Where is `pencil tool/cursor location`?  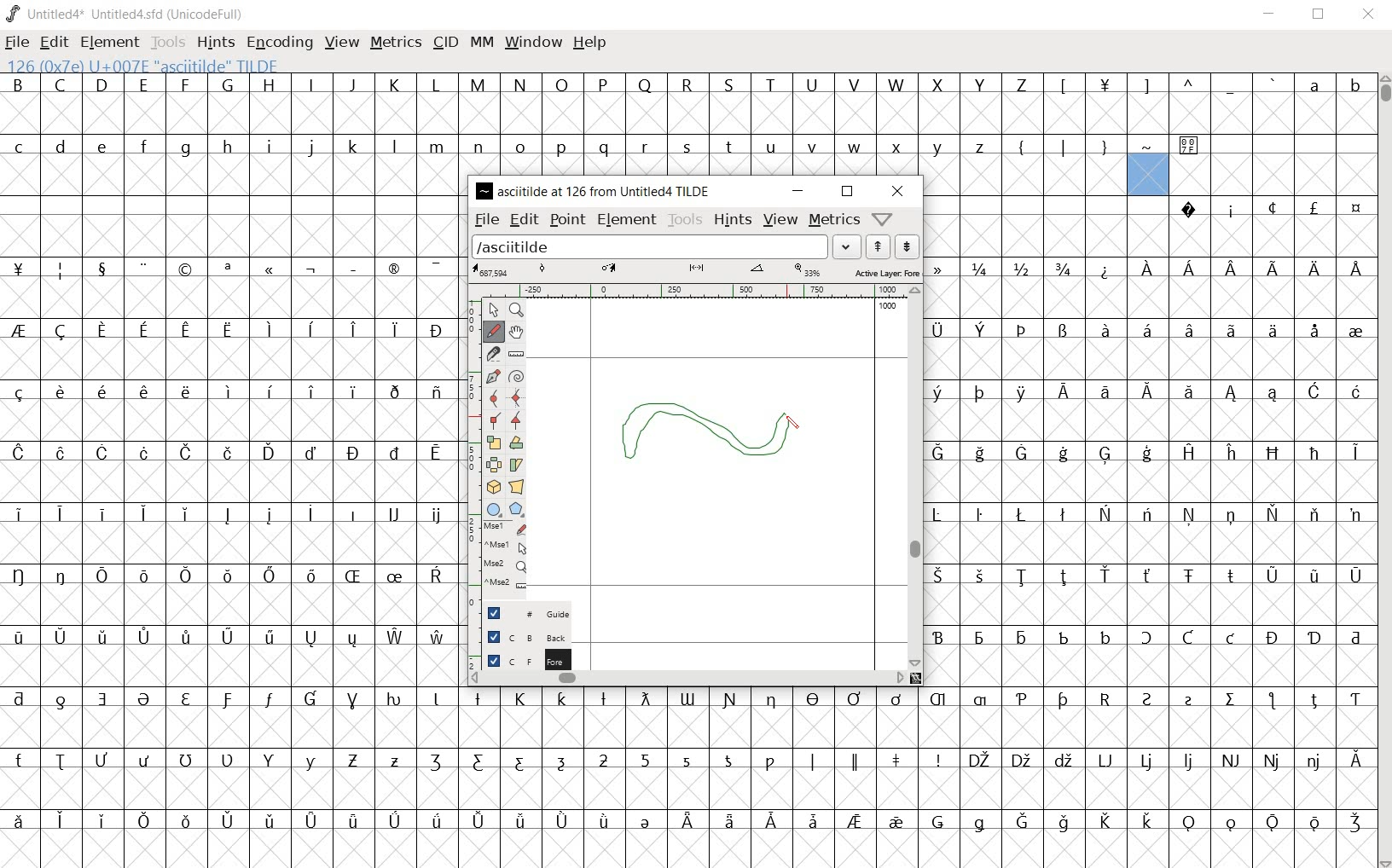
pencil tool/cursor location is located at coordinates (793, 427).